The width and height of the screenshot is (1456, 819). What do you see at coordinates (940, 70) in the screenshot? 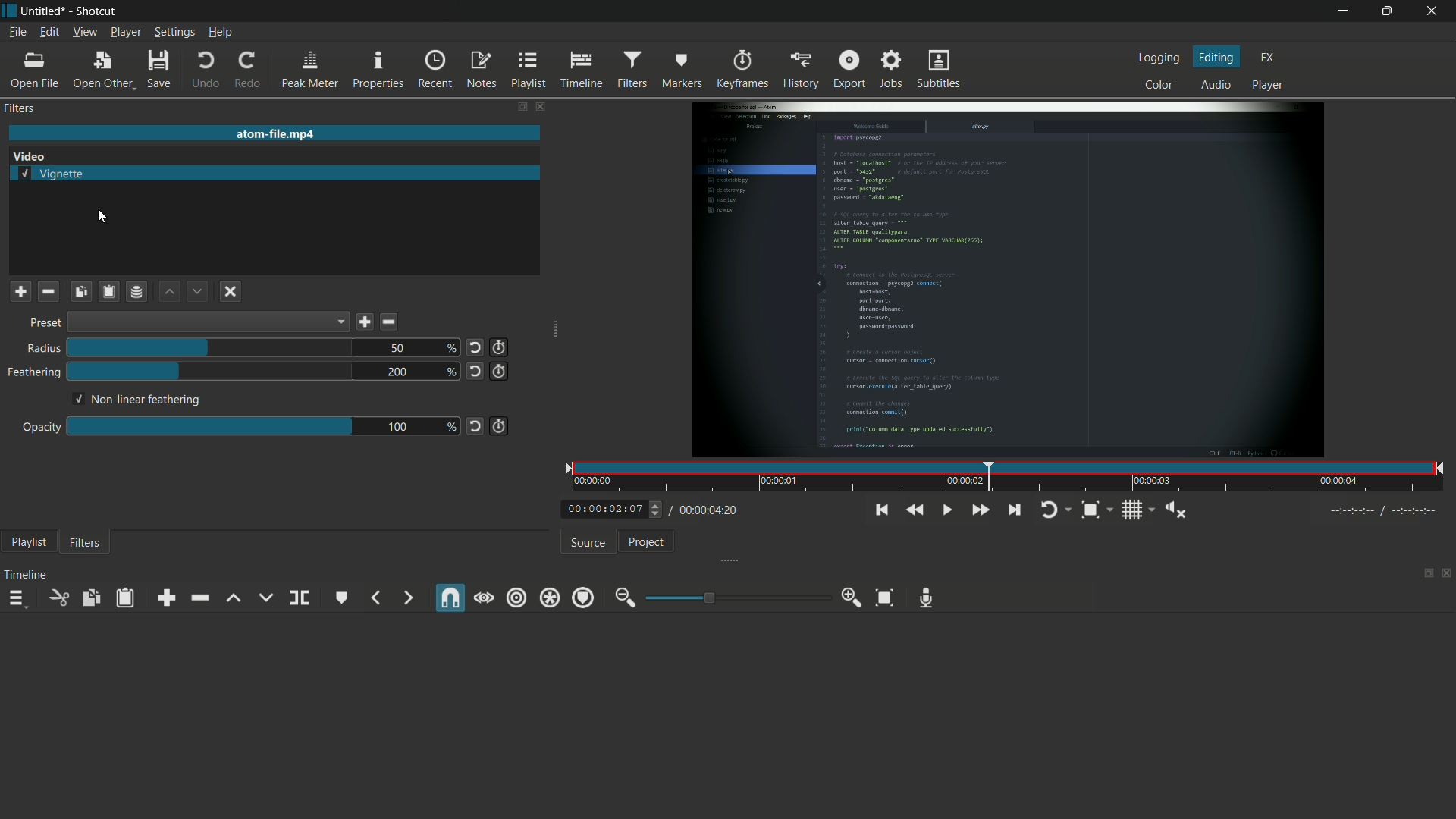
I see `subtitles` at bounding box center [940, 70].